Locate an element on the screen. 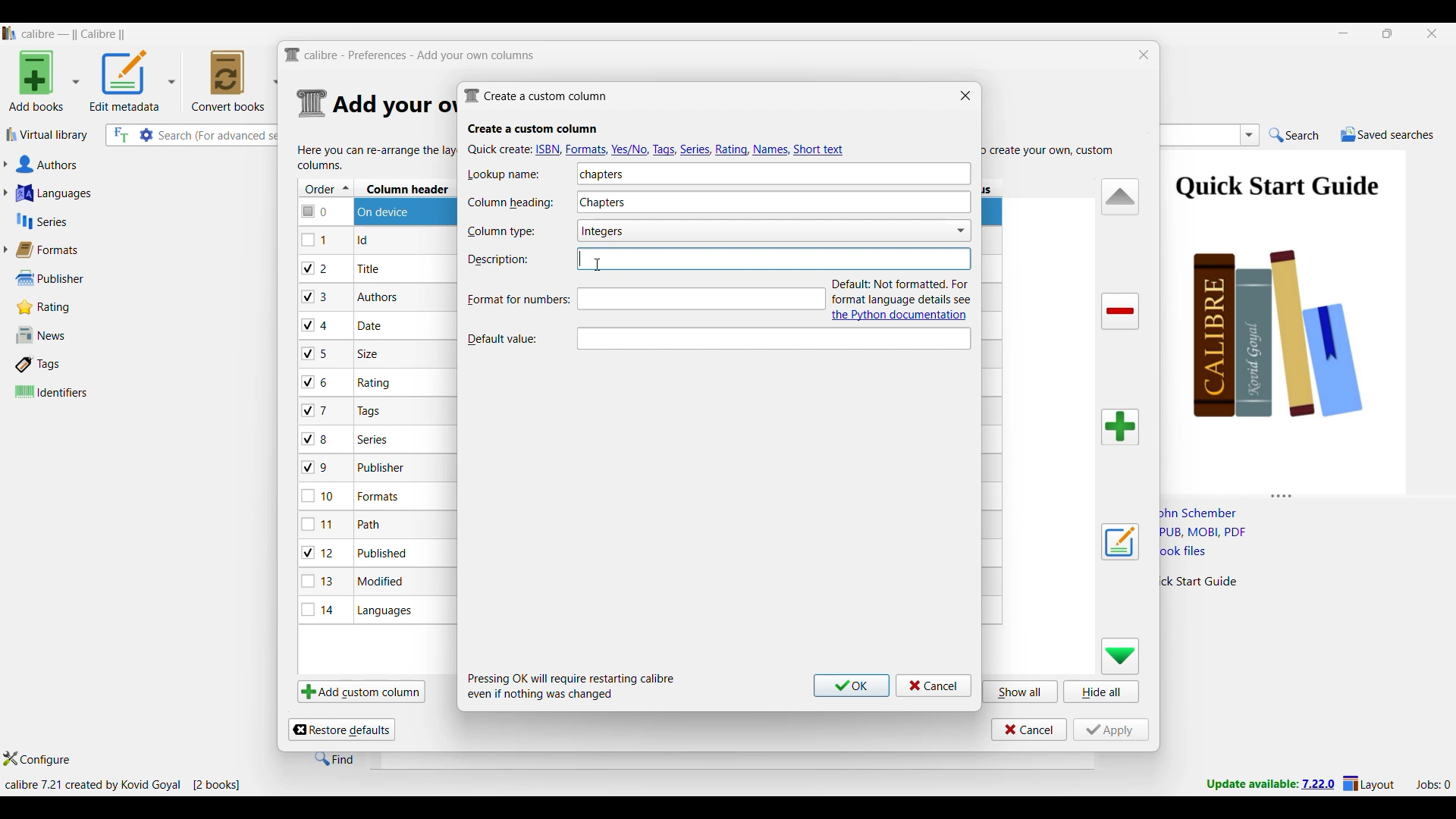  Search the full text of all books is located at coordinates (120, 135).